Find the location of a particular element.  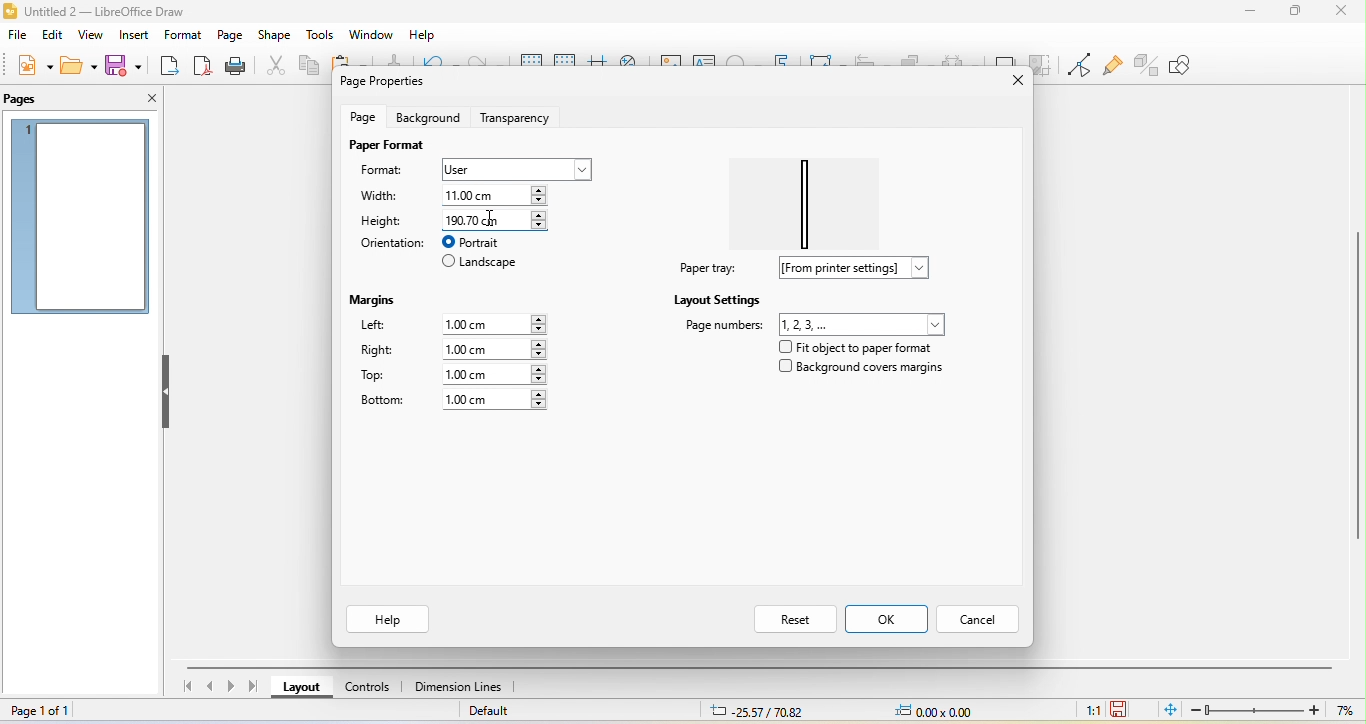

landscape is located at coordinates (481, 264).